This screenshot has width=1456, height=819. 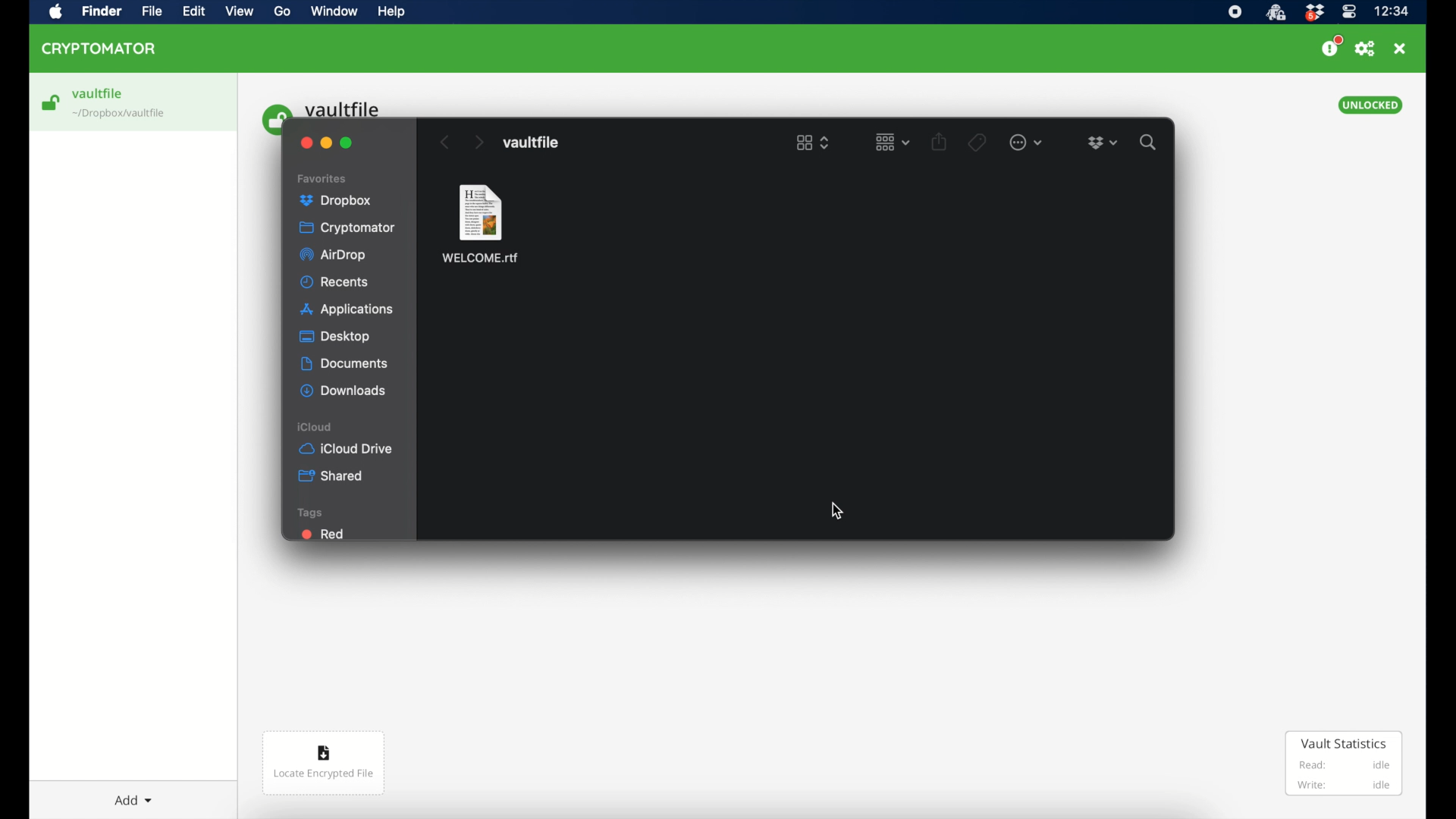 I want to click on close, so click(x=305, y=143).